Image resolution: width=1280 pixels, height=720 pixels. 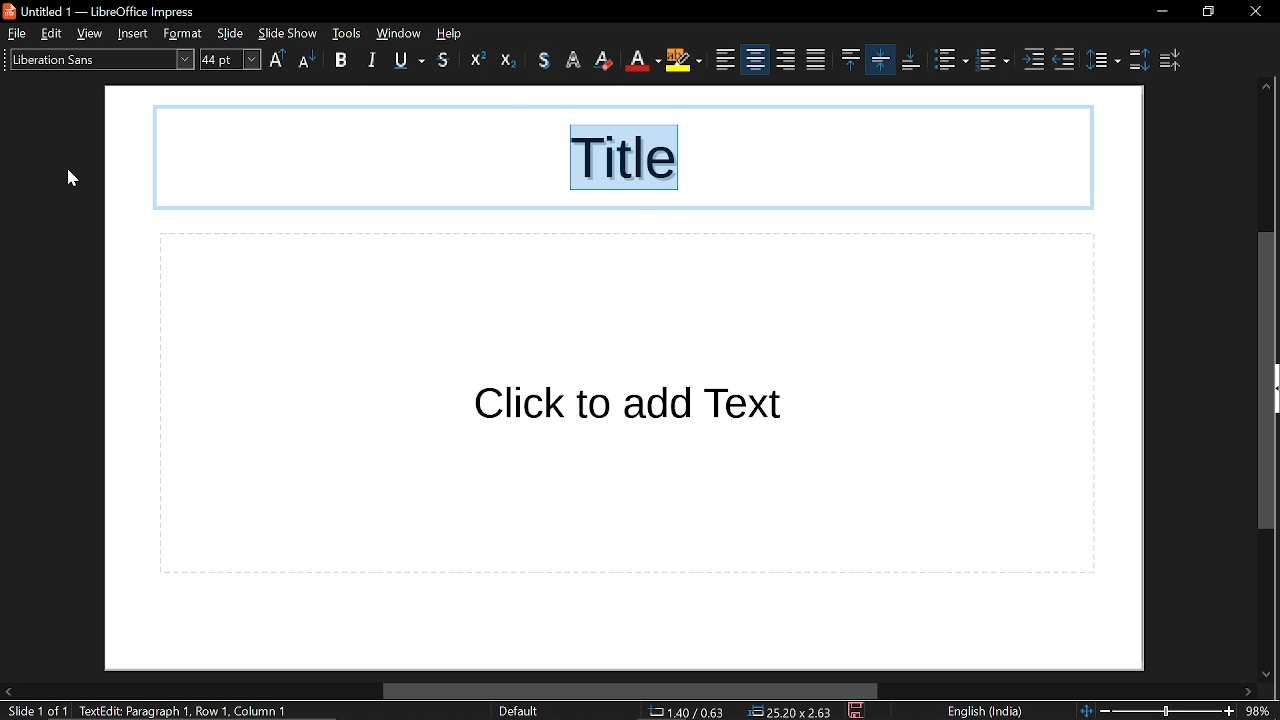 I want to click on window, so click(x=398, y=33).